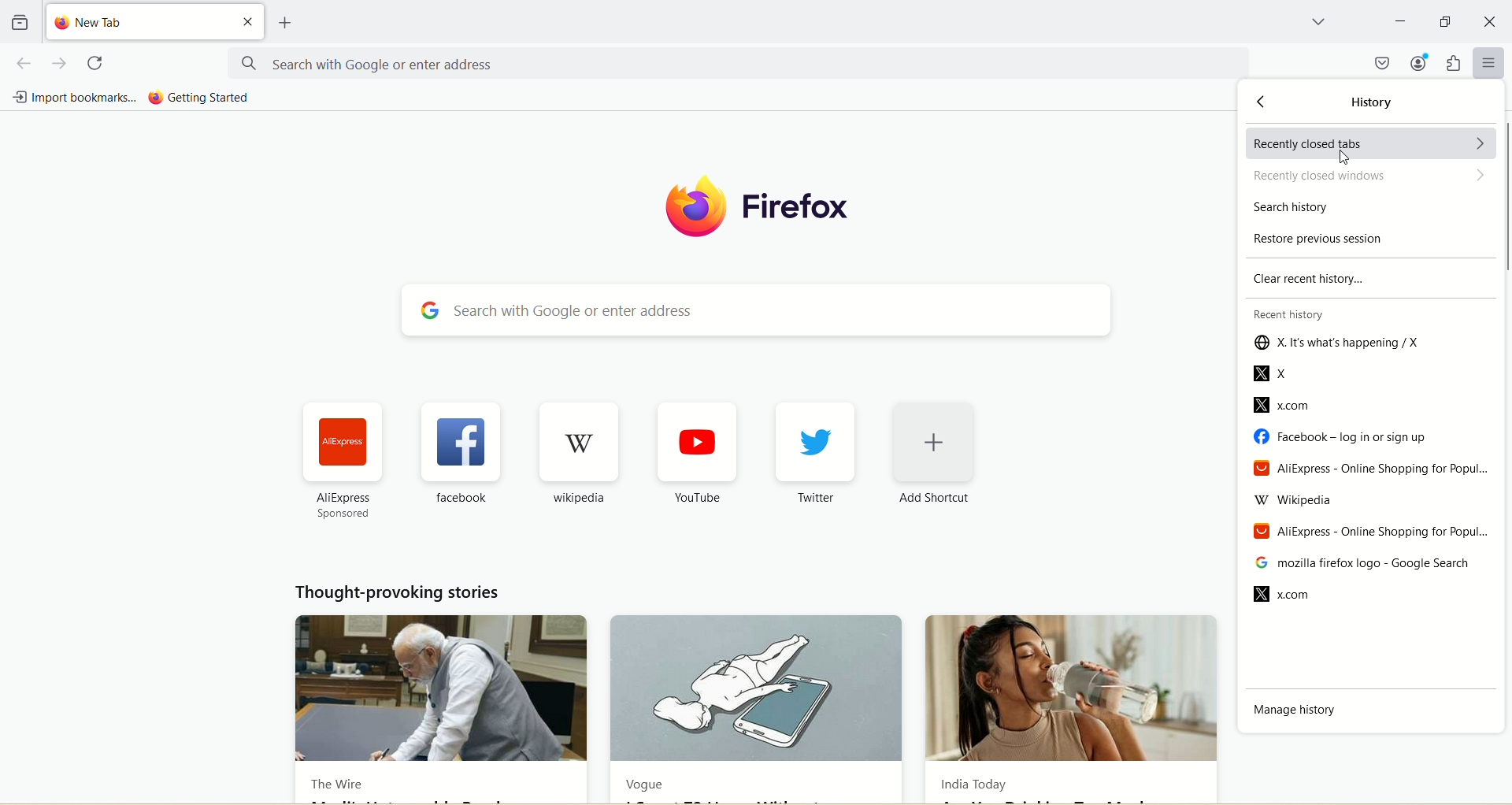 The width and height of the screenshot is (1512, 805). I want to click on facebook, so click(457, 499).